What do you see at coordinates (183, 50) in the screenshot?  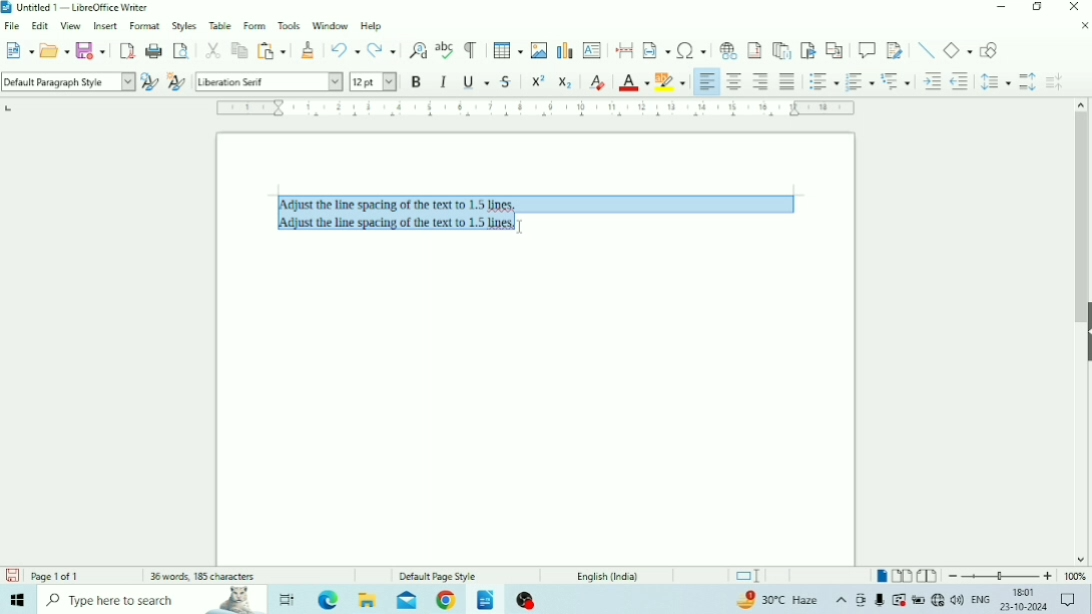 I see `Toggle Print Preview` at bounding box center [183, 50].